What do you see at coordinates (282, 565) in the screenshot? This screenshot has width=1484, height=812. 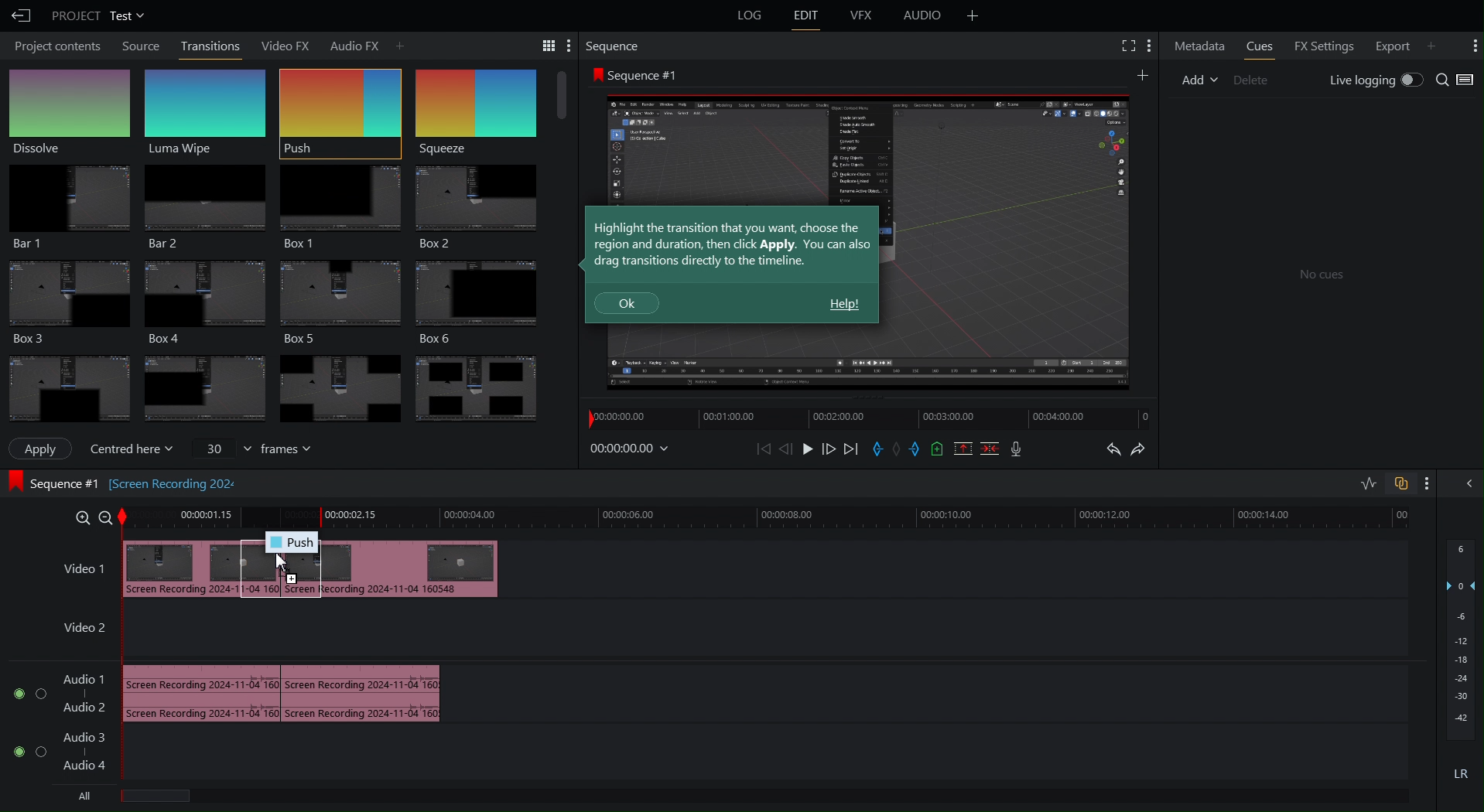 I see `Cursor` at bounding box center [282, 565].